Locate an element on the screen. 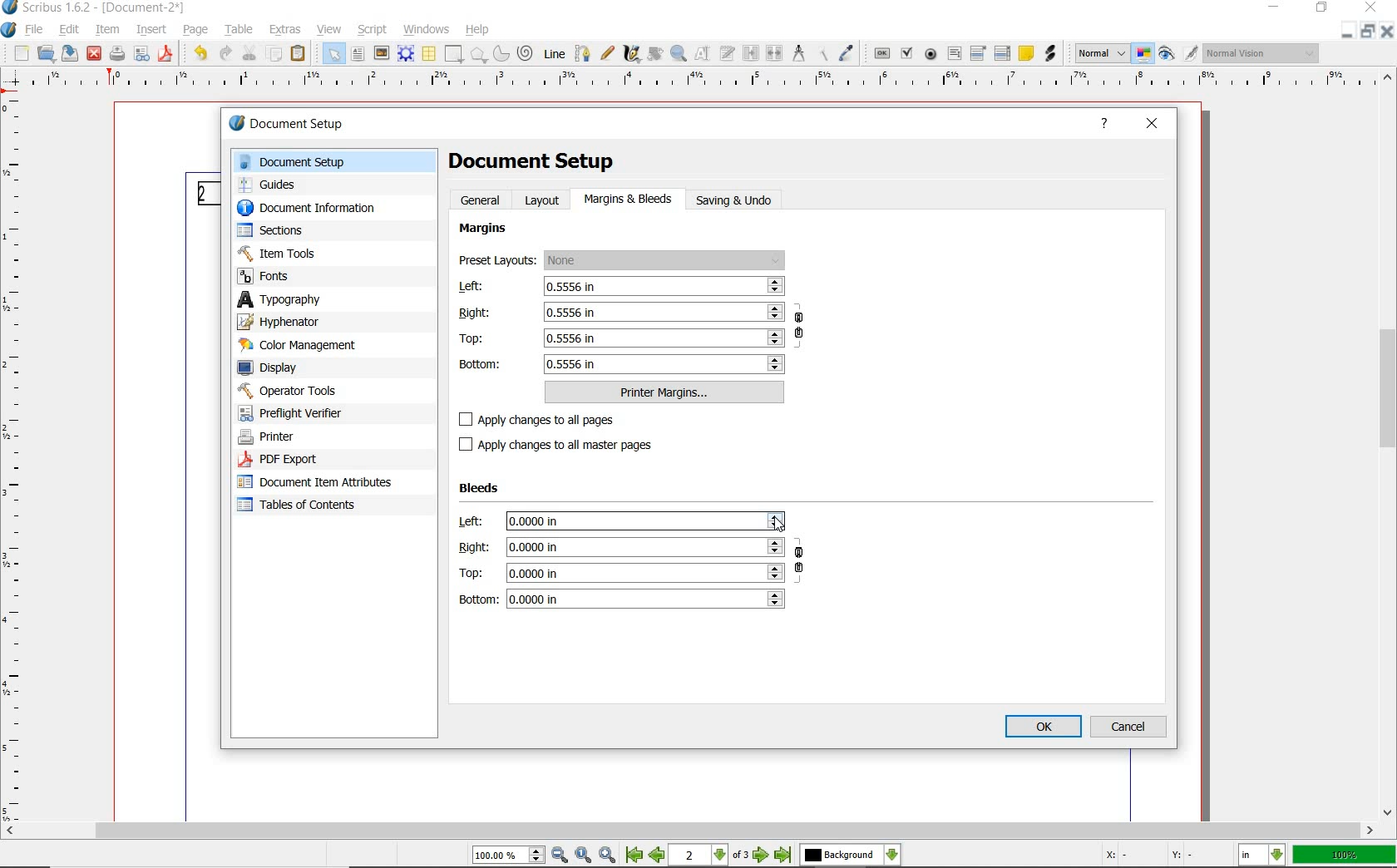 This screenshot has width=1397, height=868. display is located at coordinates (275, 368).